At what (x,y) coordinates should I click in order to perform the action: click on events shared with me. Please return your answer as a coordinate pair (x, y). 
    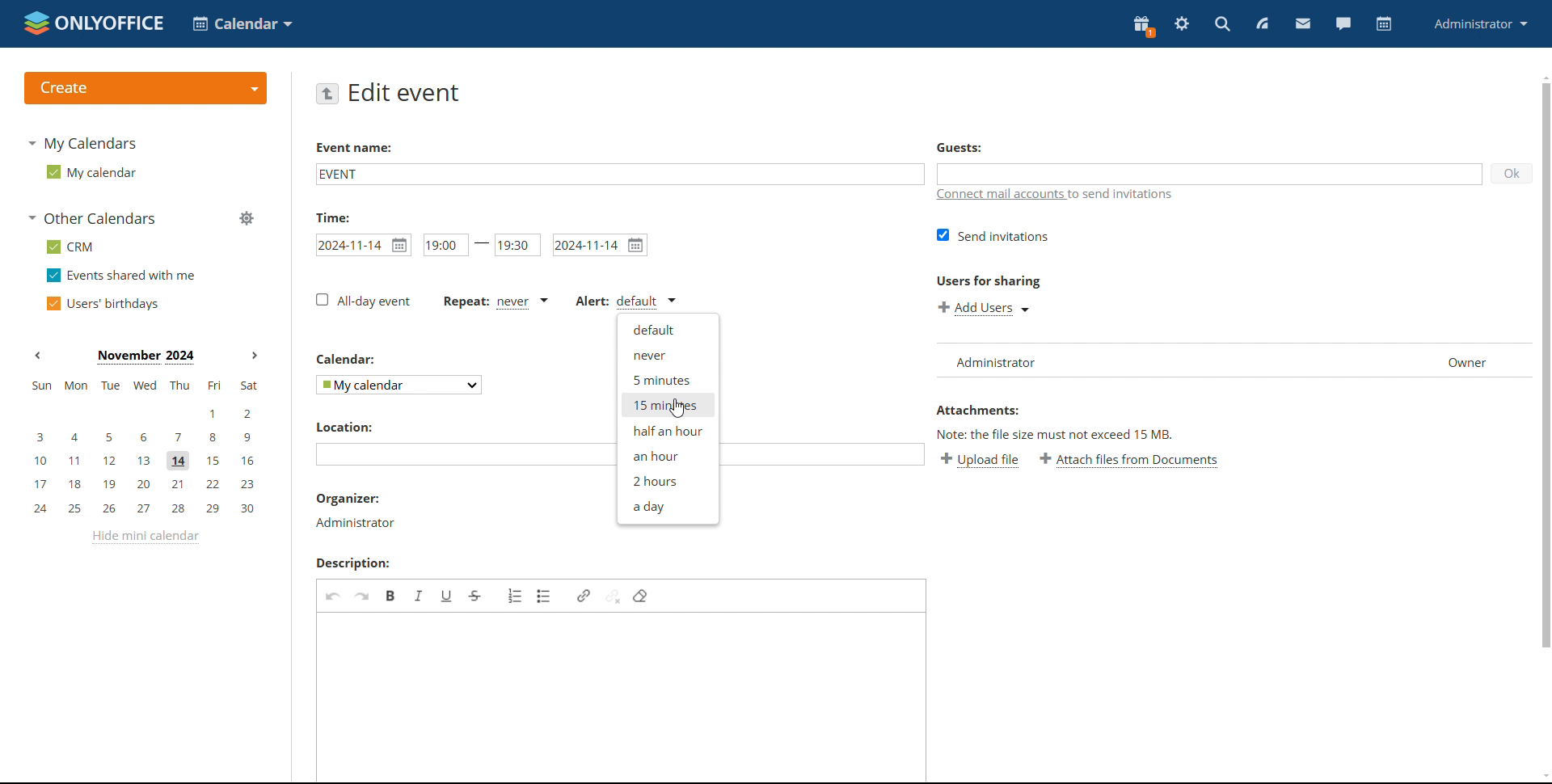
    Looking at the image, I should click on (123, 276).